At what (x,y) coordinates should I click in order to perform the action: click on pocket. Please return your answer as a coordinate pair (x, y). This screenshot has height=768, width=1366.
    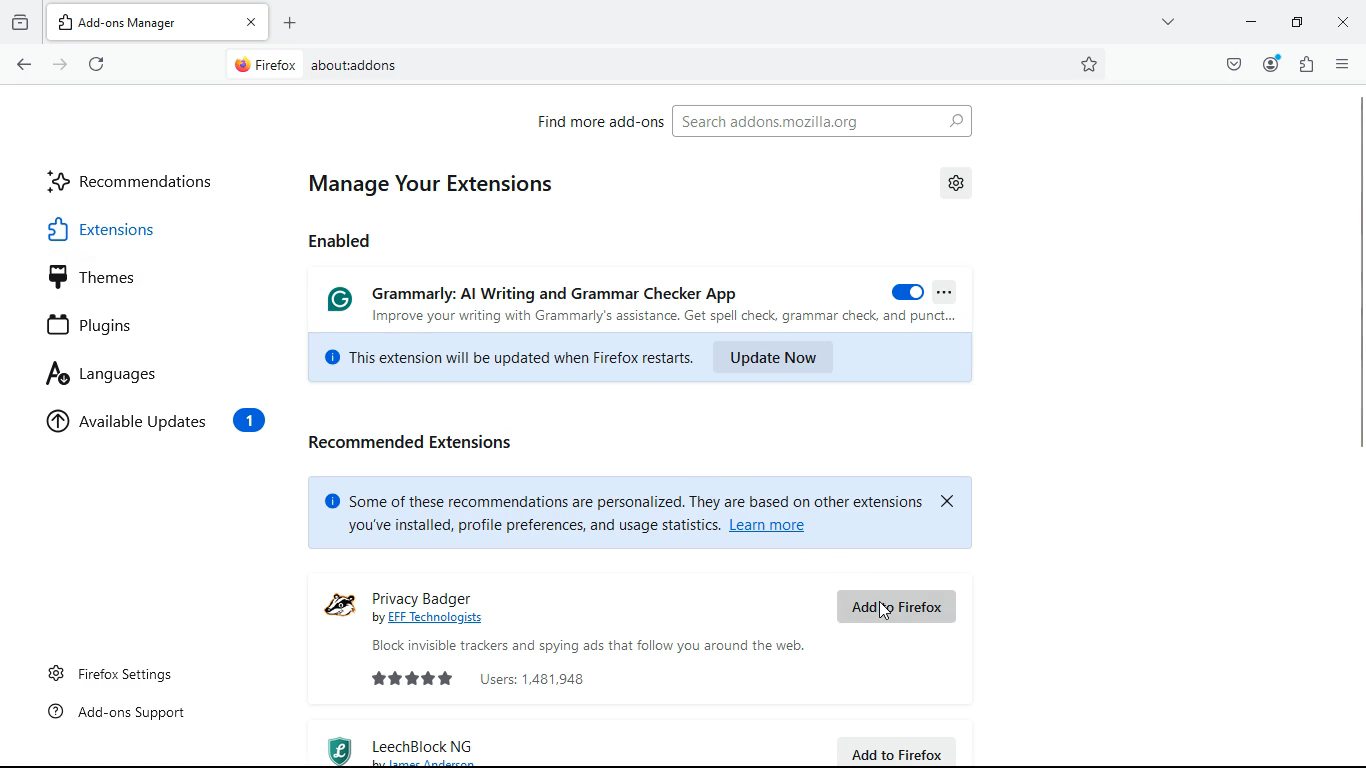
    Looking at the image, I should click on (1228, 65).